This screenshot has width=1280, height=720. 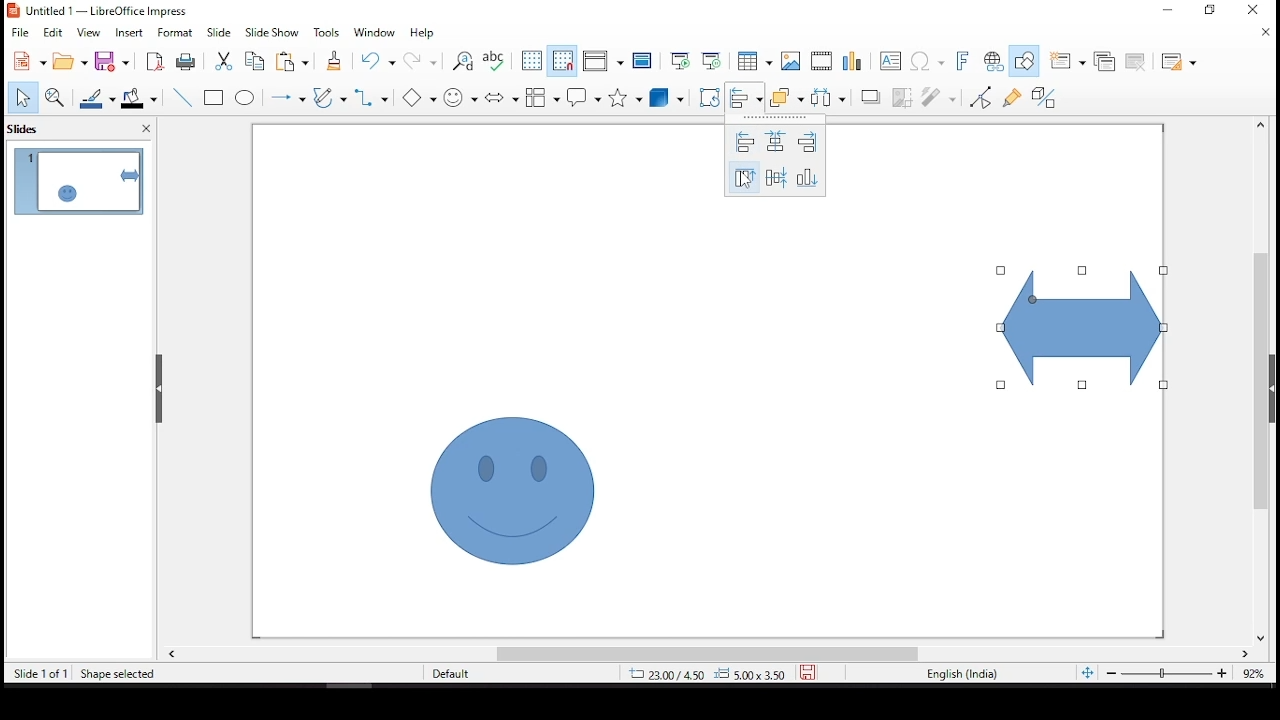 I want to click on charts, so click(x=855, y=63).